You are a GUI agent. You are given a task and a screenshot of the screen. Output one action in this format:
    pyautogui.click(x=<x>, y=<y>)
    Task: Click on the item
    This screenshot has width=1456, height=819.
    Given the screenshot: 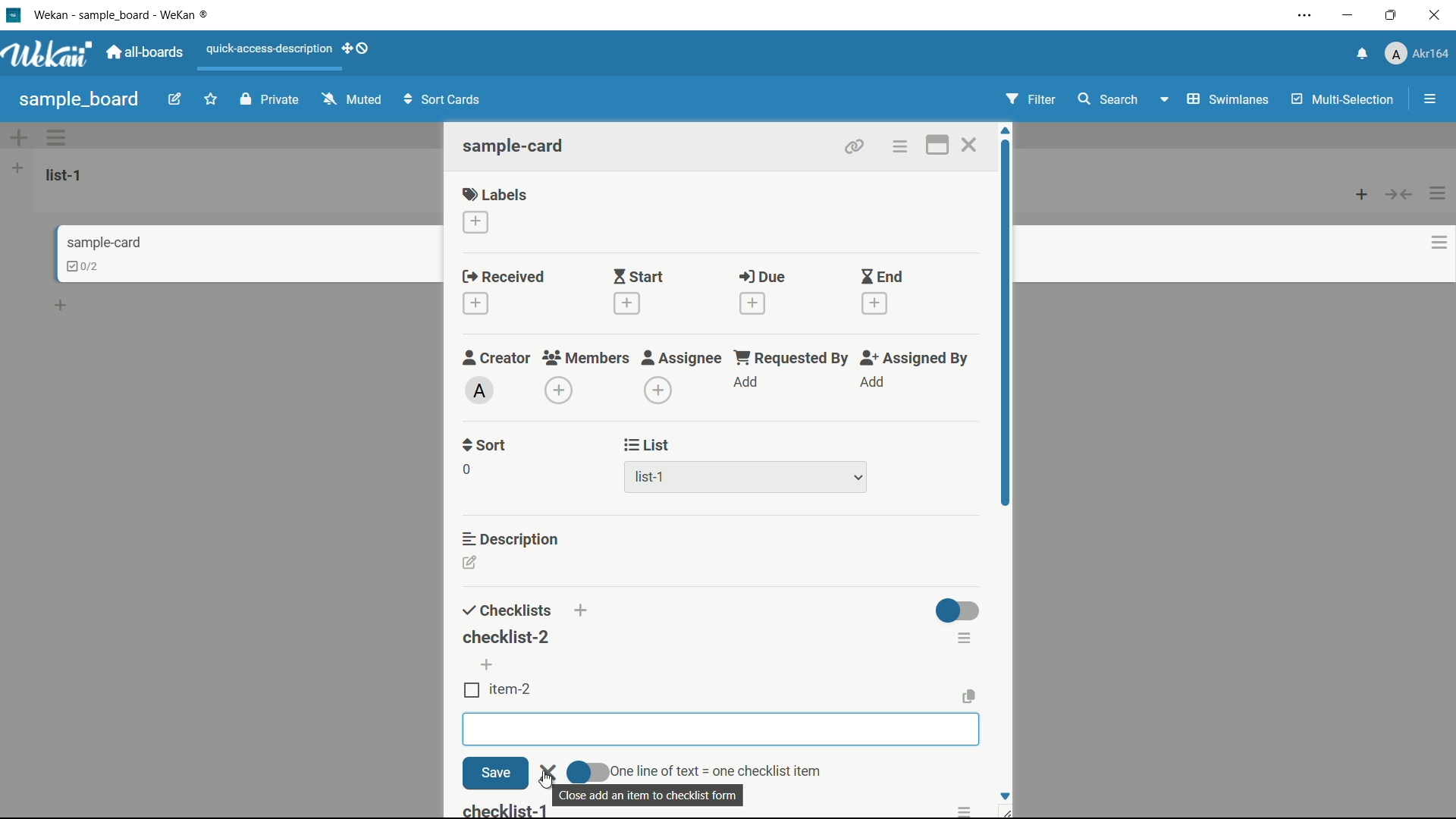 What is the action you would take?
    pyautogui.click(x=513, y=689)
    